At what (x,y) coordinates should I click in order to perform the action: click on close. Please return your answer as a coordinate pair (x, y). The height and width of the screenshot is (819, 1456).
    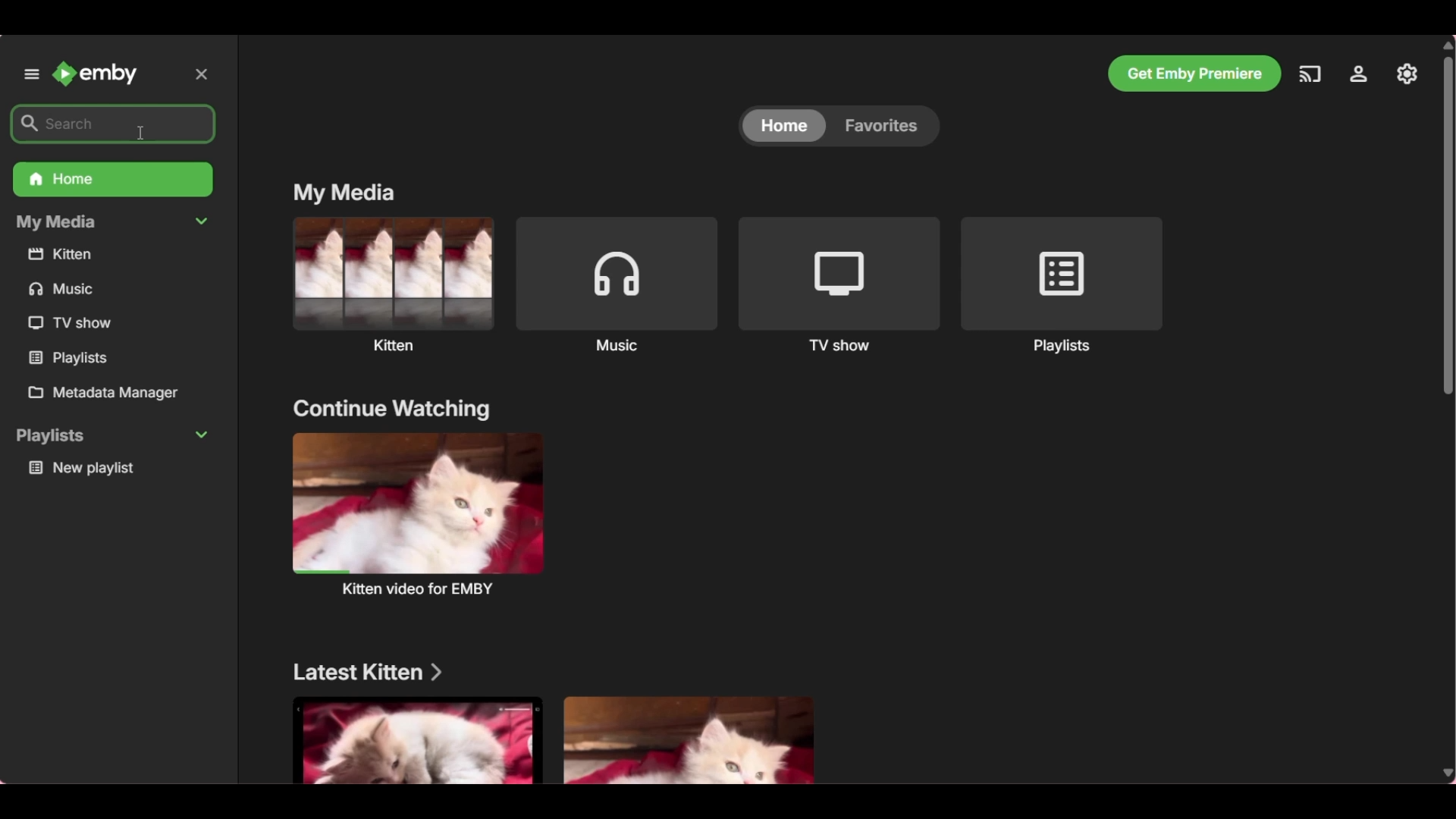
    Looking at the image, I should click on (206, 72).